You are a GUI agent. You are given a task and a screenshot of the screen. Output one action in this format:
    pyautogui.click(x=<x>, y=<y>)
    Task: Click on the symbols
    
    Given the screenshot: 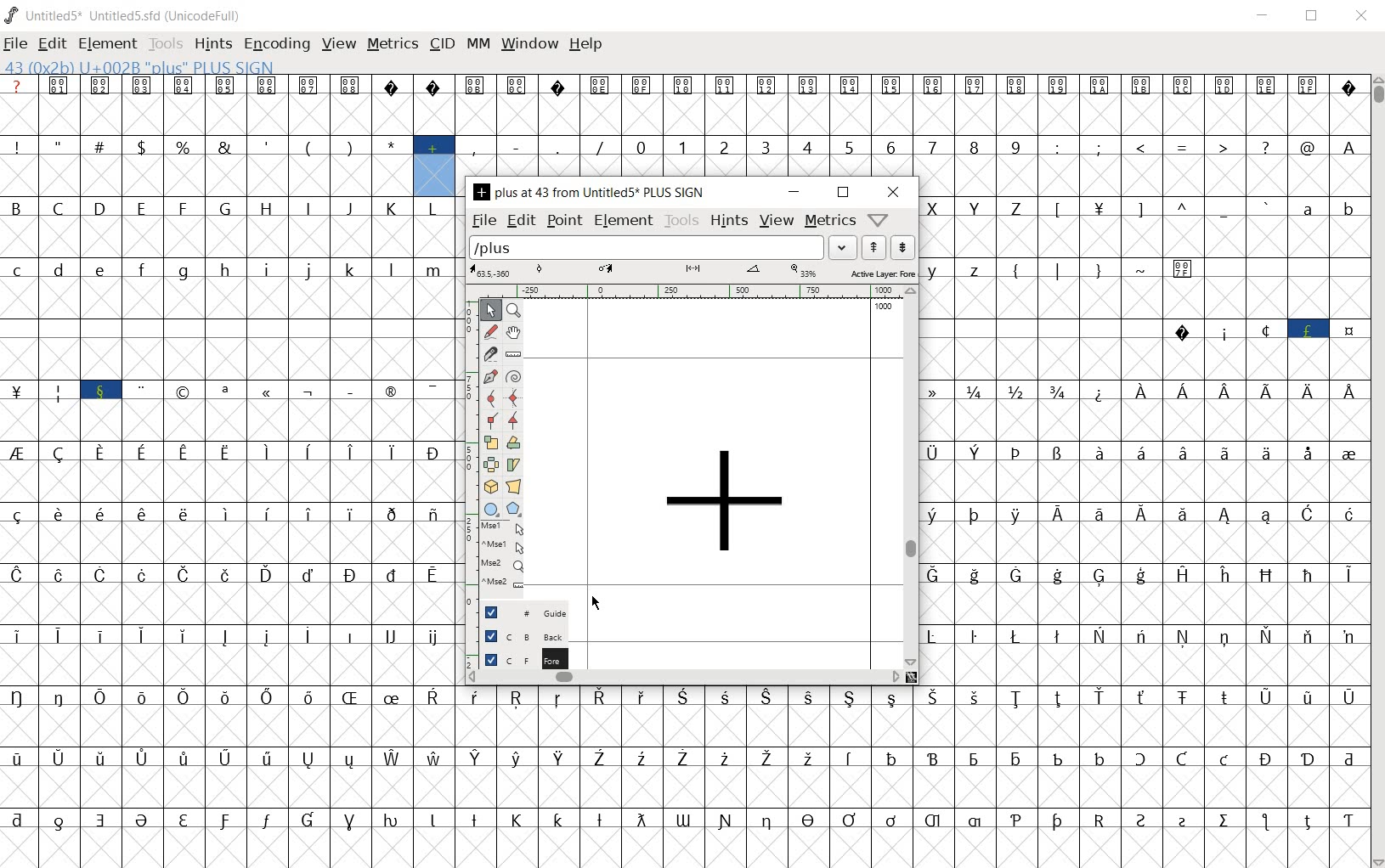 What is the action you would take?
    pyautogui.click(x=684, y=104)
    